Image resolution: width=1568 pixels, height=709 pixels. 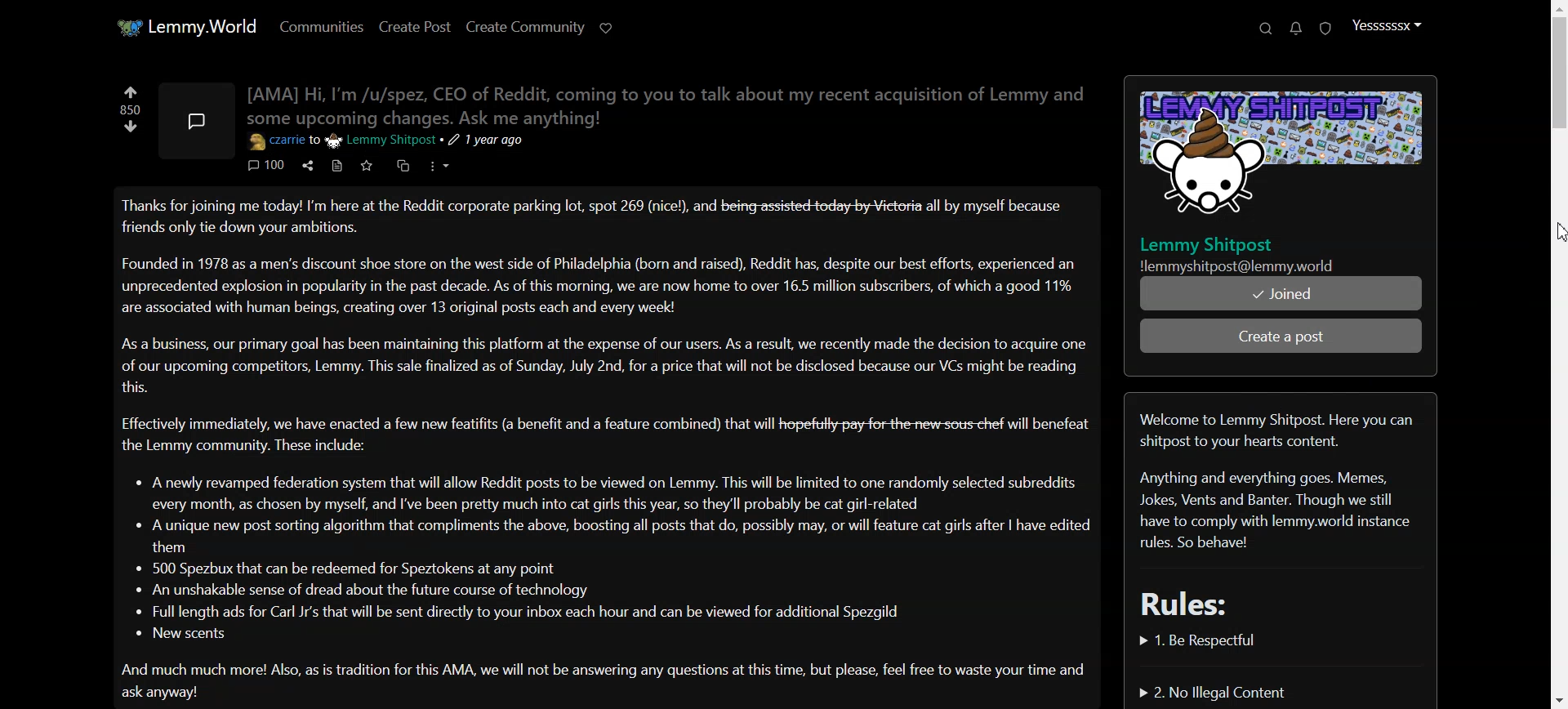 What do you see at coordinates (132, 127) in the screenshot?
I see `Down Vote` at bounding box center [132, 127].